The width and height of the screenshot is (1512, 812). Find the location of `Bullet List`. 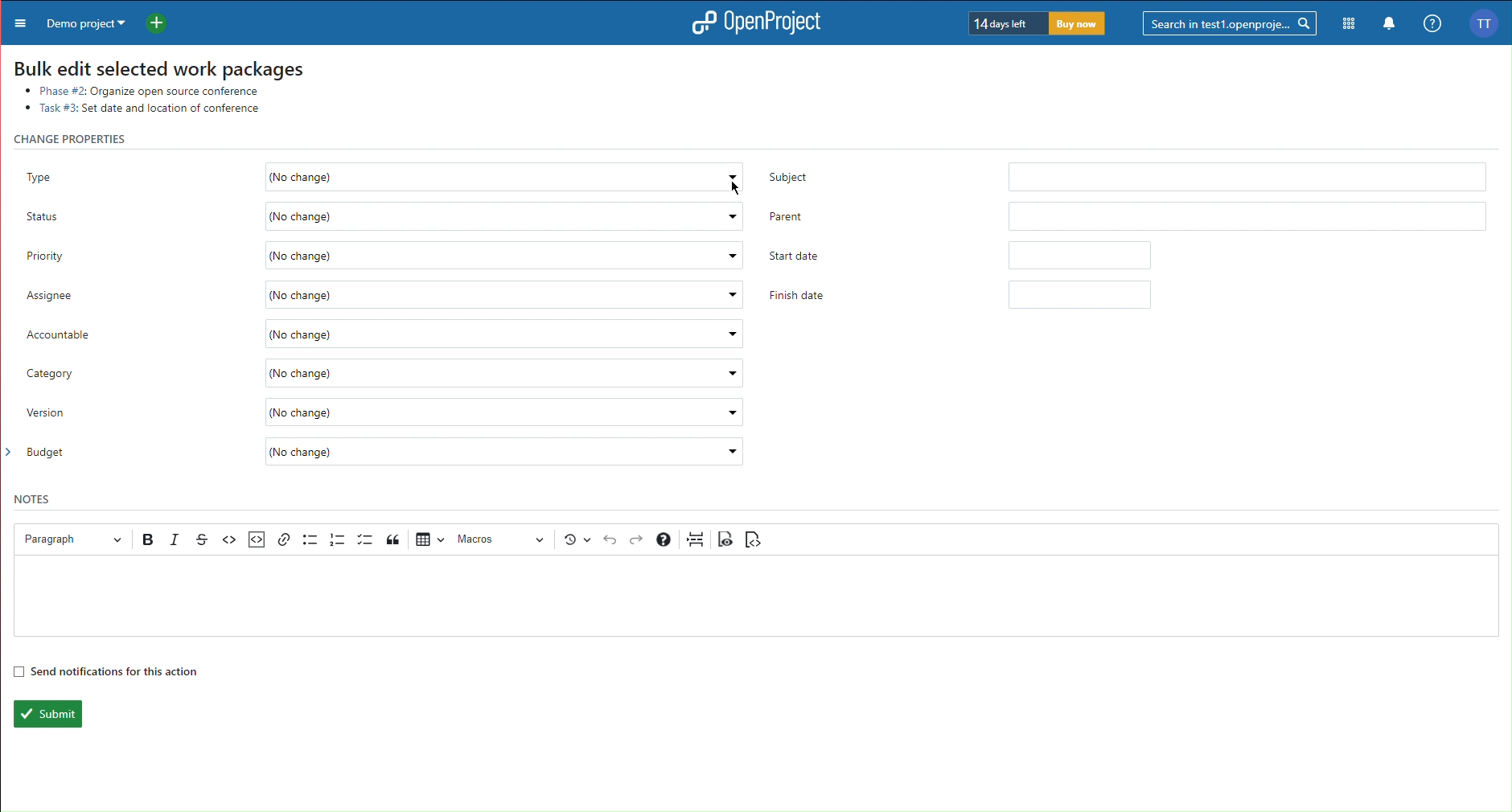

Bullet List is located at coordinates (310, 539).